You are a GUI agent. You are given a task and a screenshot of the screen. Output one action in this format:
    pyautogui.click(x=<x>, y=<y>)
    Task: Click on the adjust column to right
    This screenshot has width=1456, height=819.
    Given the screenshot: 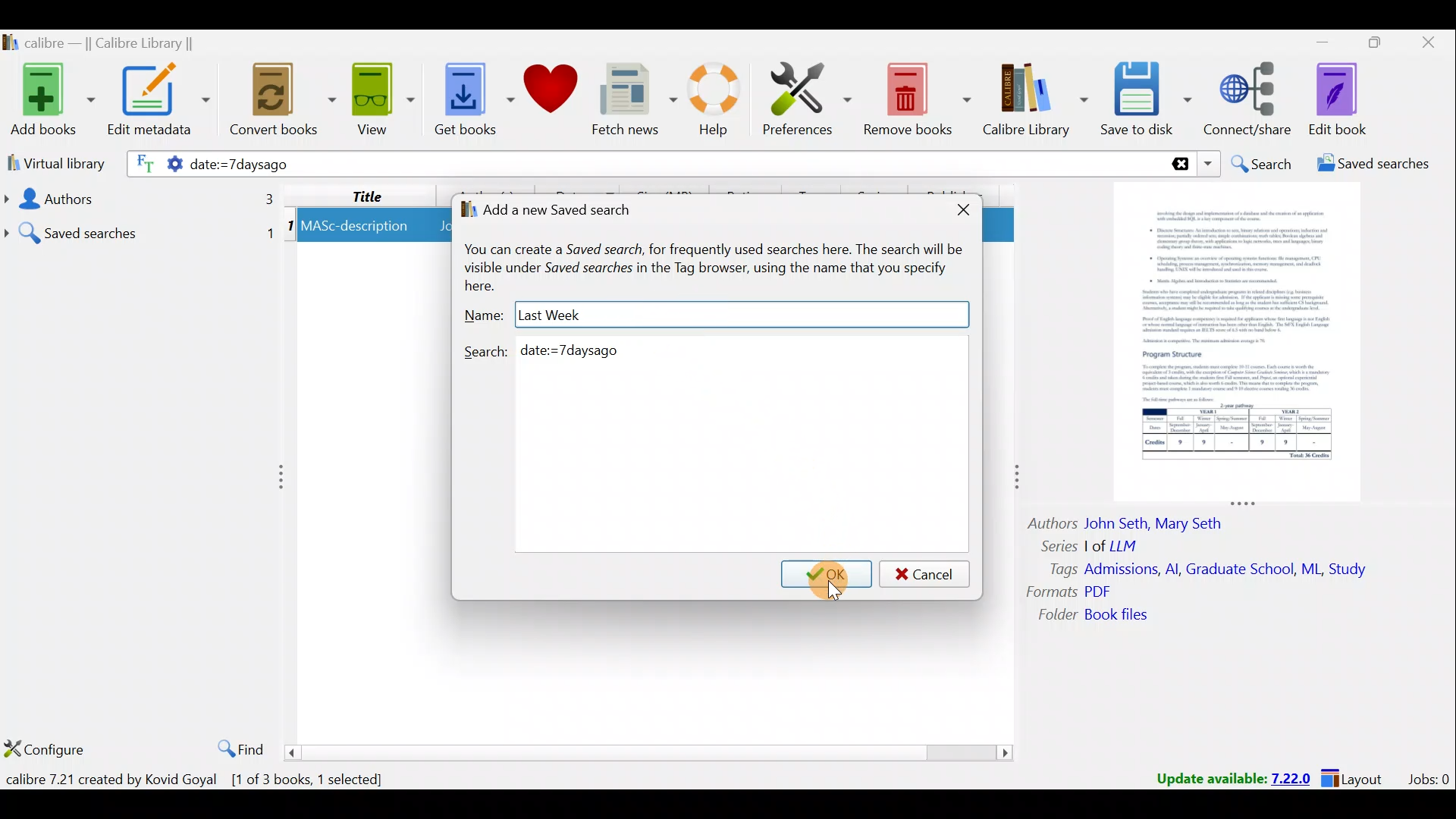 What is the action you would take?
    pyautogui.click(x=1015, y=481)
    